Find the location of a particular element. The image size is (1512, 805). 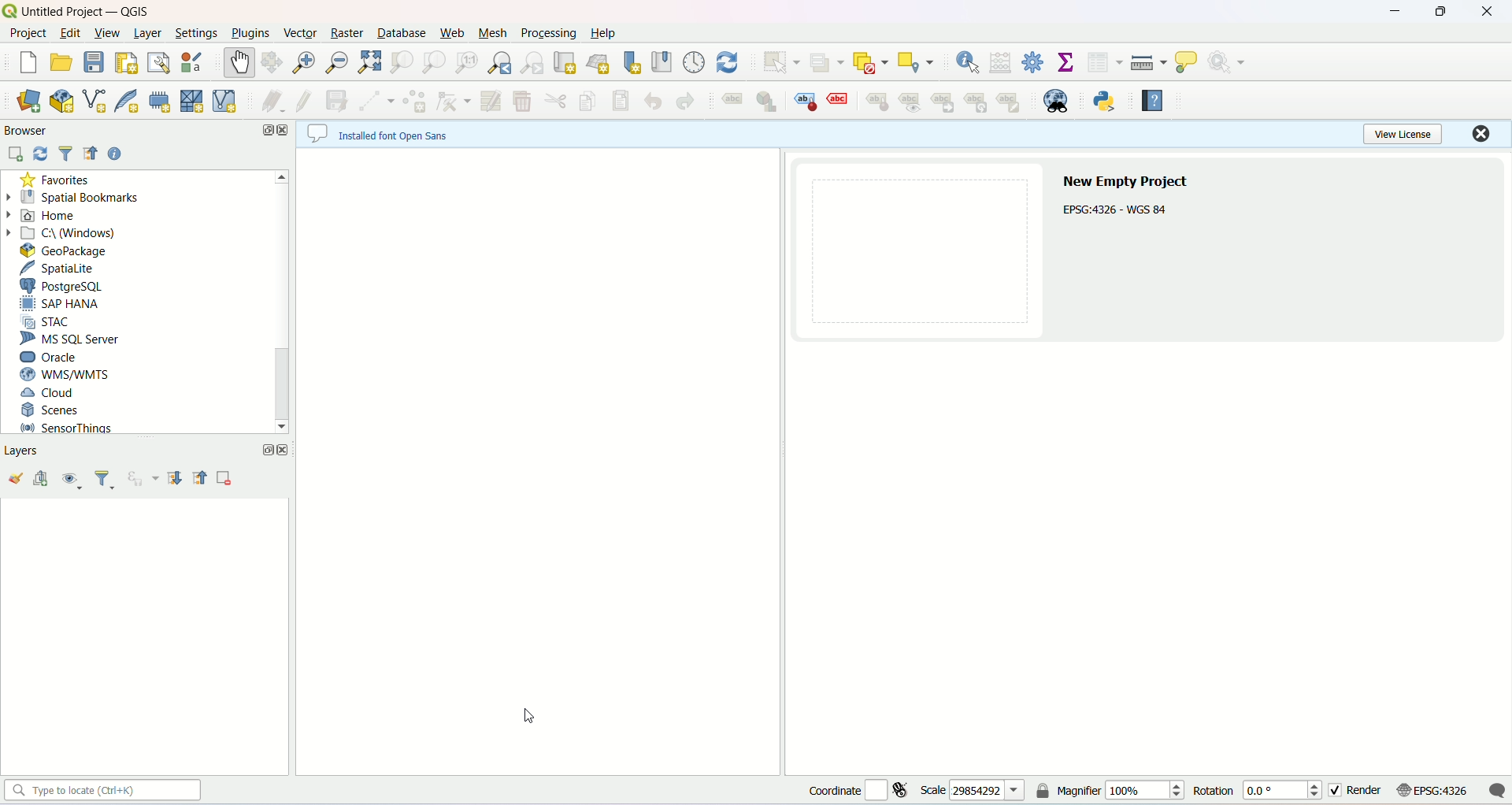

ORACLE is located at coordinates (46, 357).